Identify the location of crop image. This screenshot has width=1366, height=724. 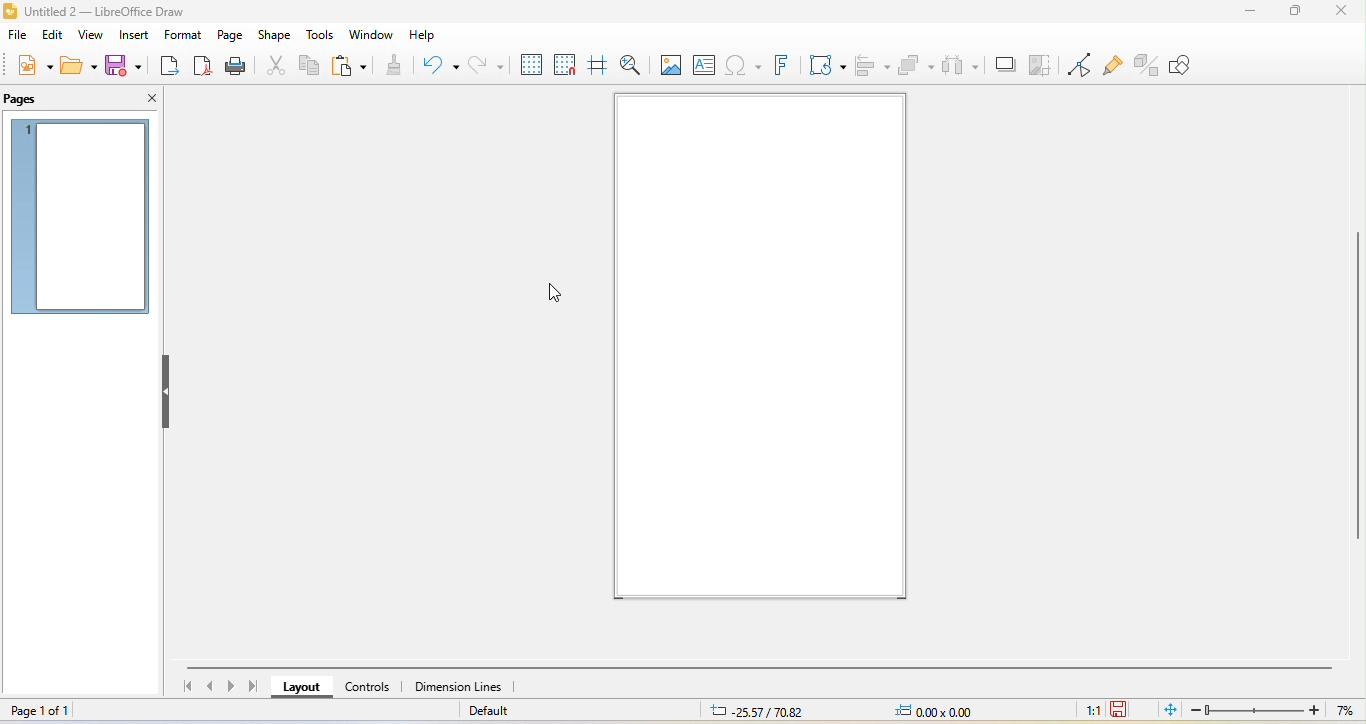
(1045, 66).